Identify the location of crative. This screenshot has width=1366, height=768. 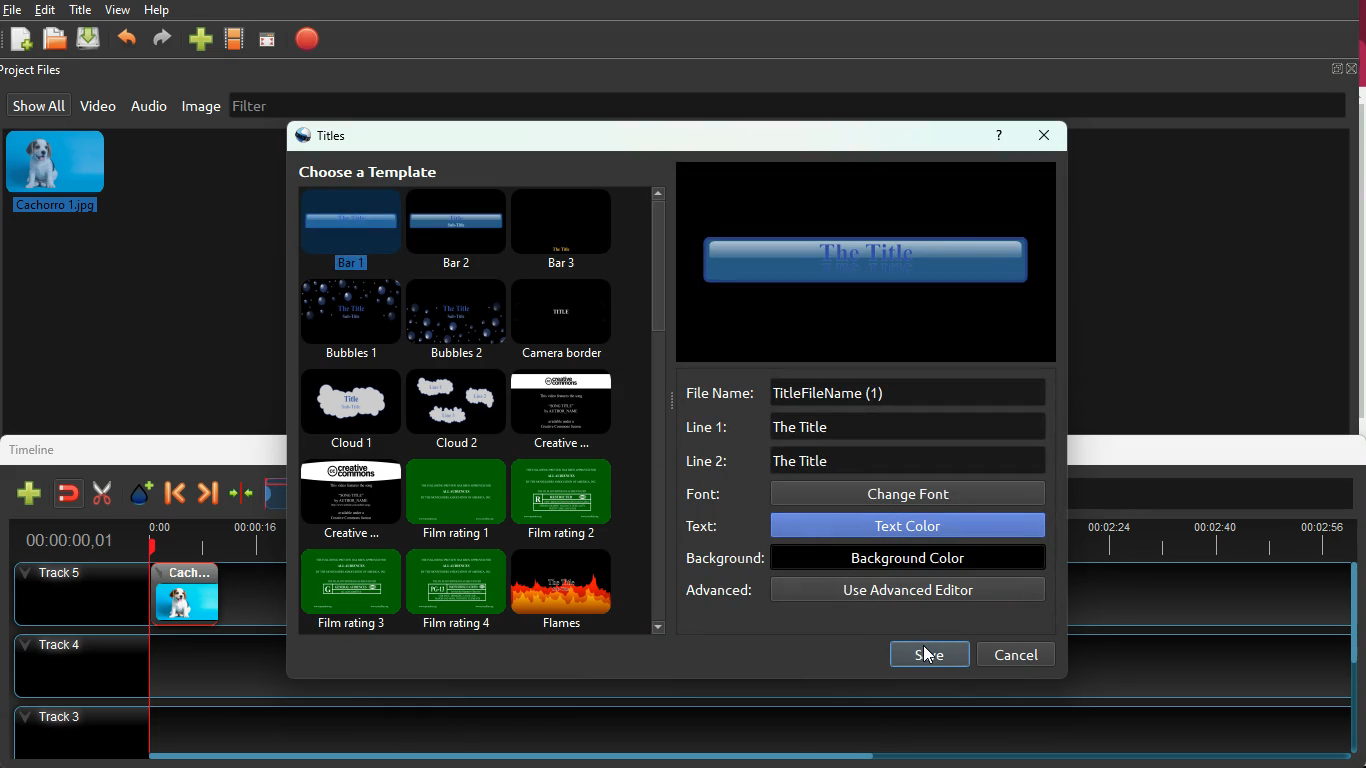
(353, 499).